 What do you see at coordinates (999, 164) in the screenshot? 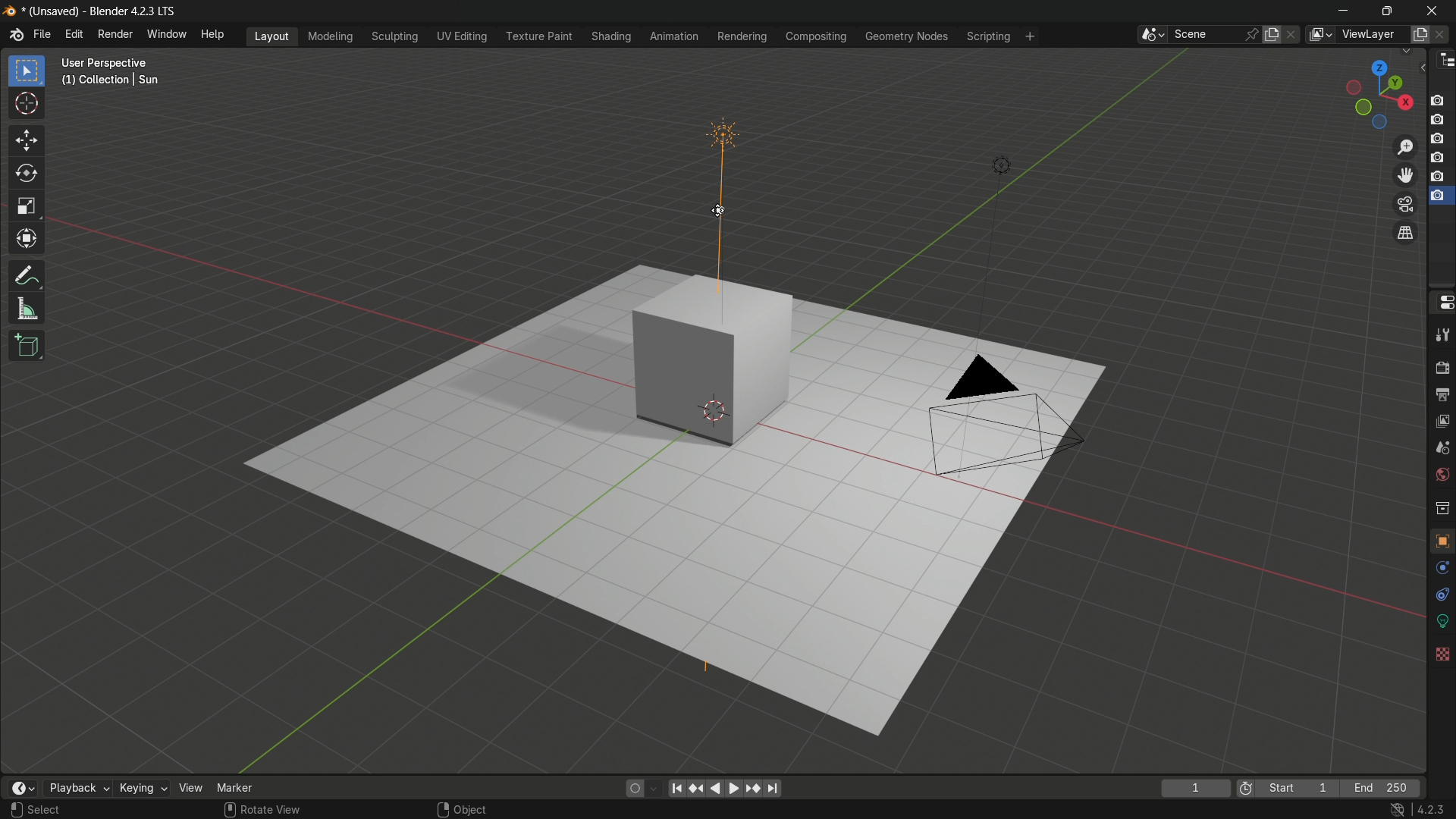
I see `light` at bounding box center [999, 164].